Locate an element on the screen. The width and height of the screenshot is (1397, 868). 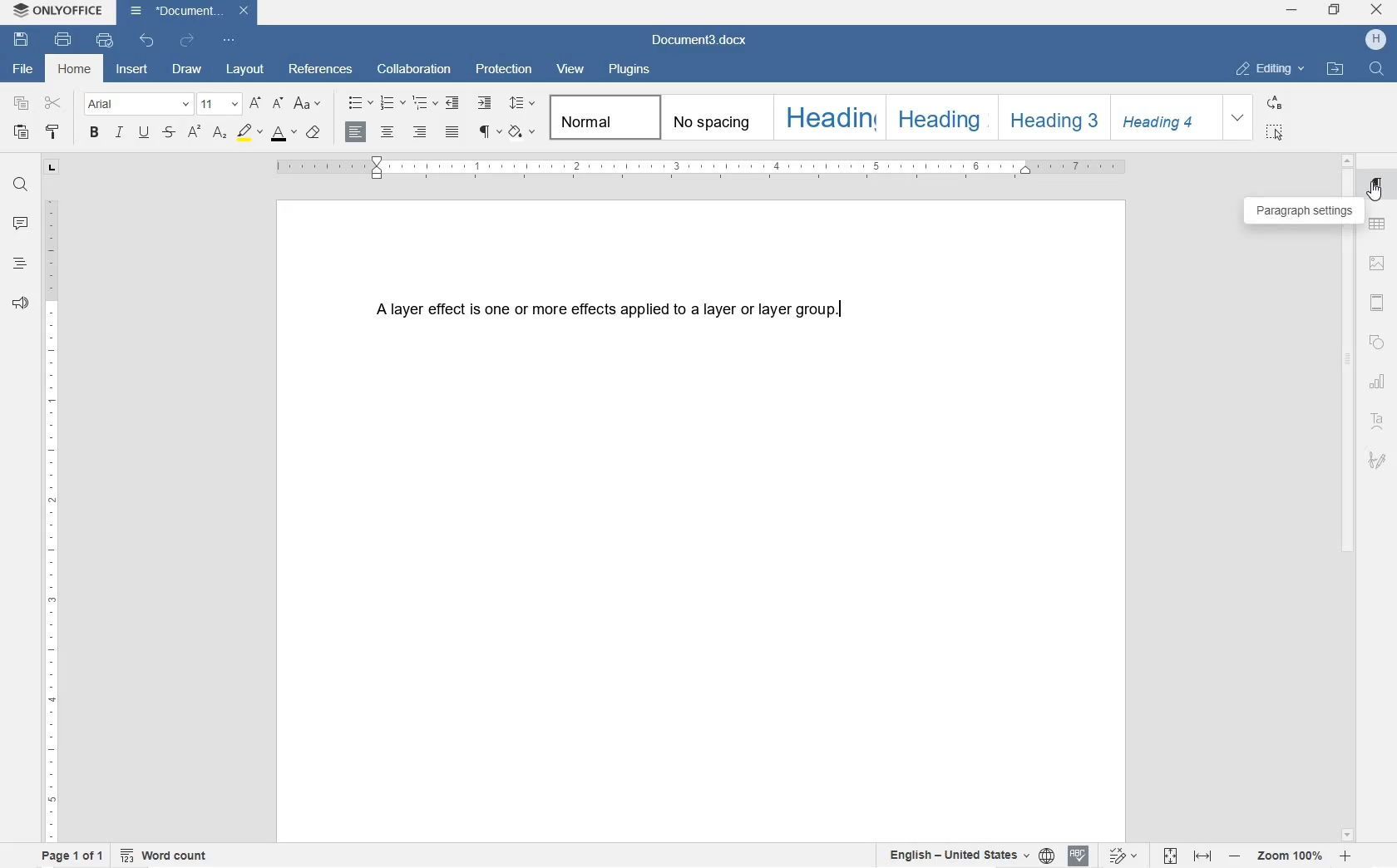
TABLE is located at coordinates (1377, 224).